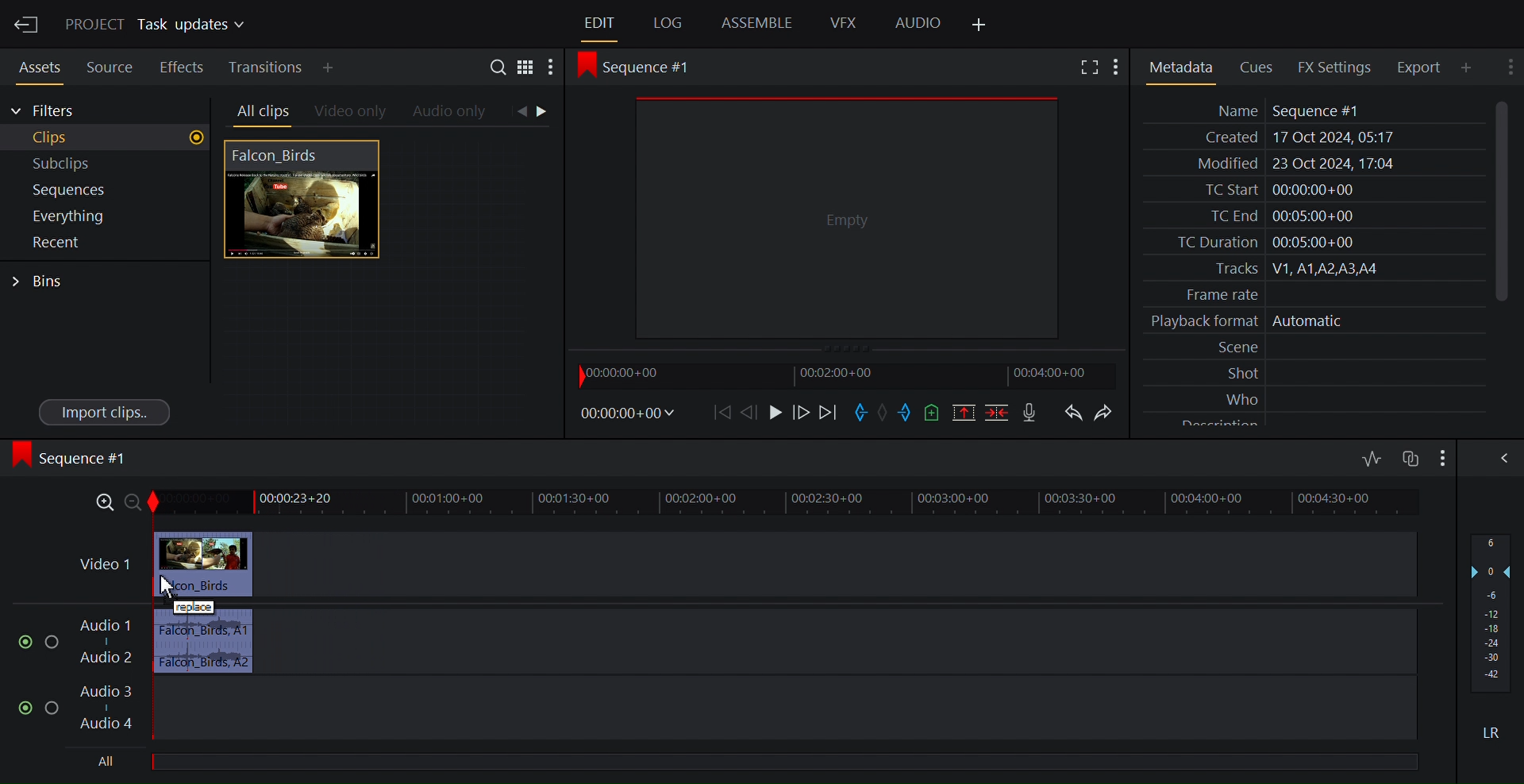 This screenshot has width=1524, height=784. I want to click on Videos only, so click(351, 113).